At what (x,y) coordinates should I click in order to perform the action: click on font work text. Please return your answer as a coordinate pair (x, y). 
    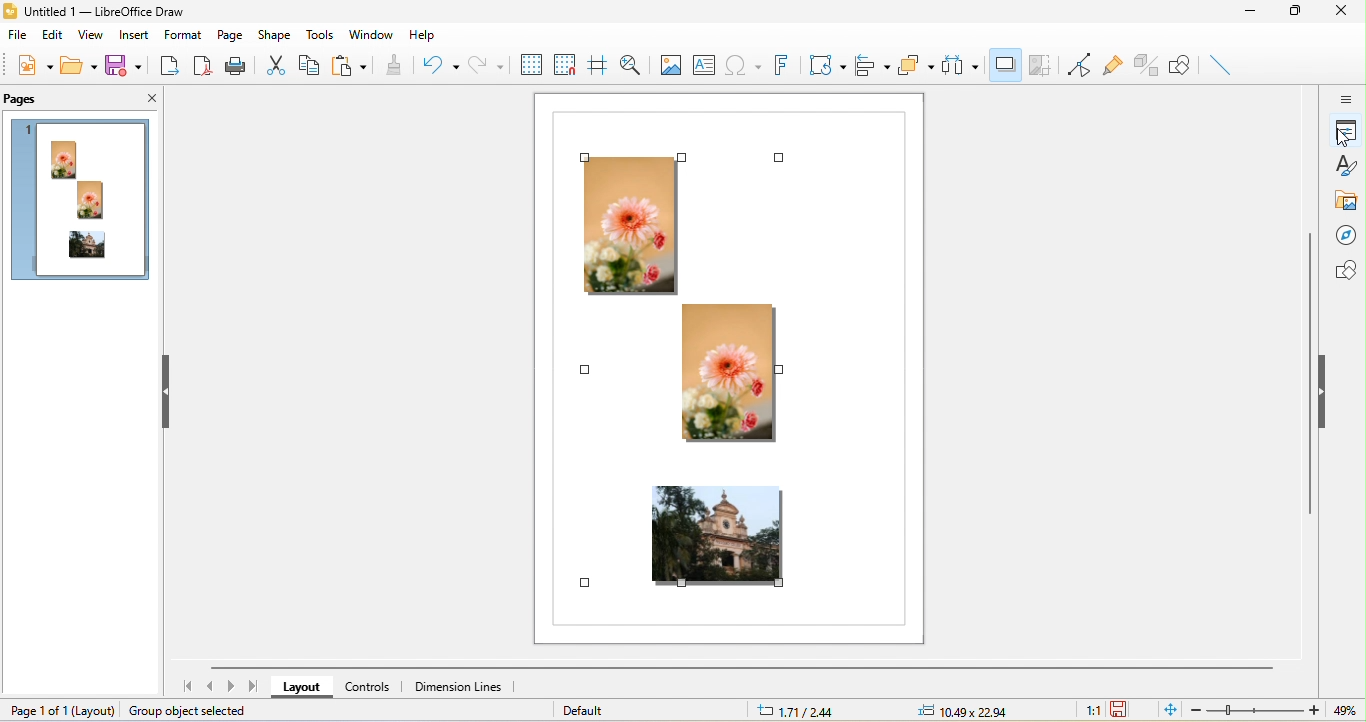
    Looking at the image, I should click on (779, 65).